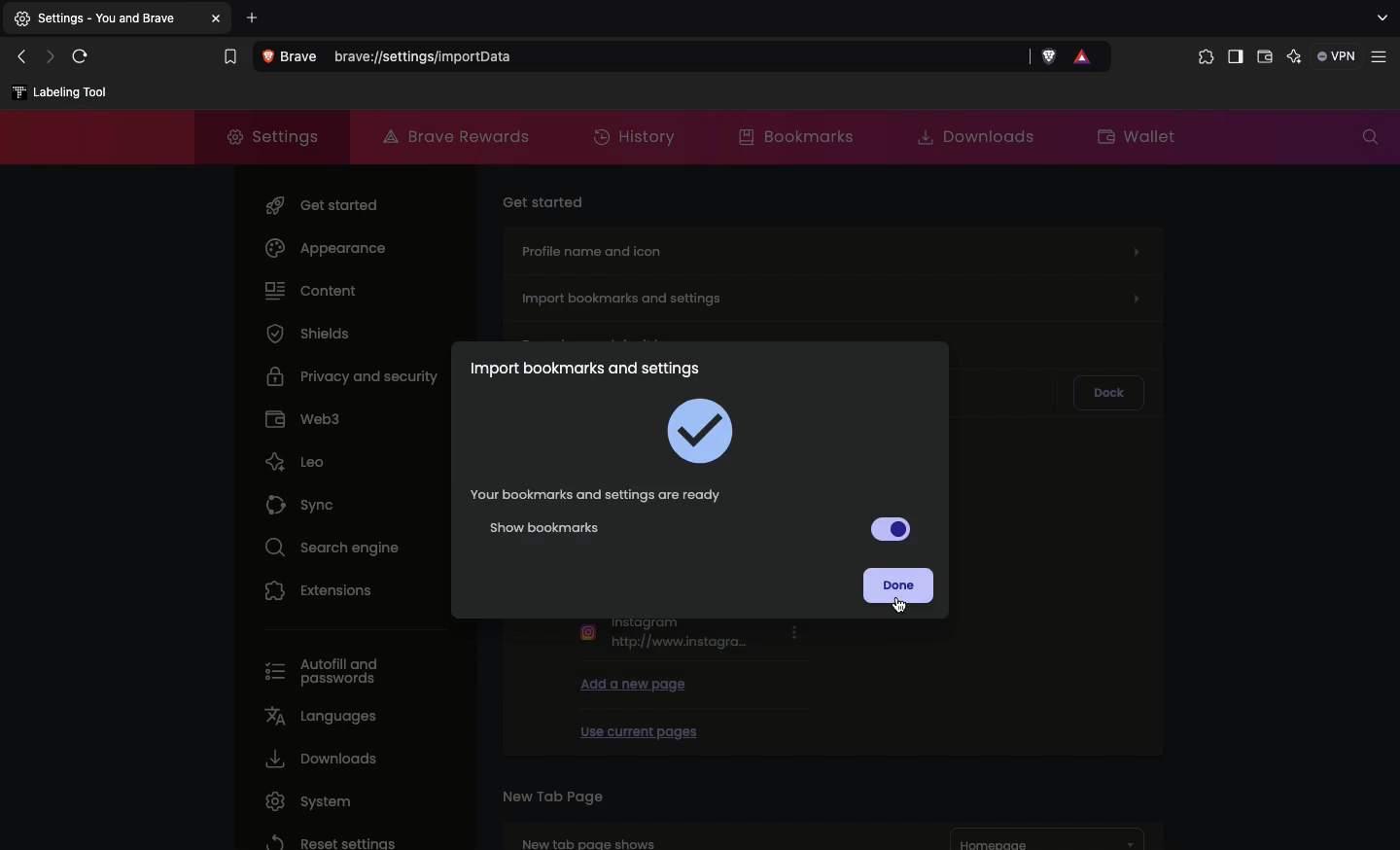 This screenshot has height=850, width=1400. What do you see at coordinates (326, 545) in the screenshot?
I see `Search engine` at bounding box center [326, 545].